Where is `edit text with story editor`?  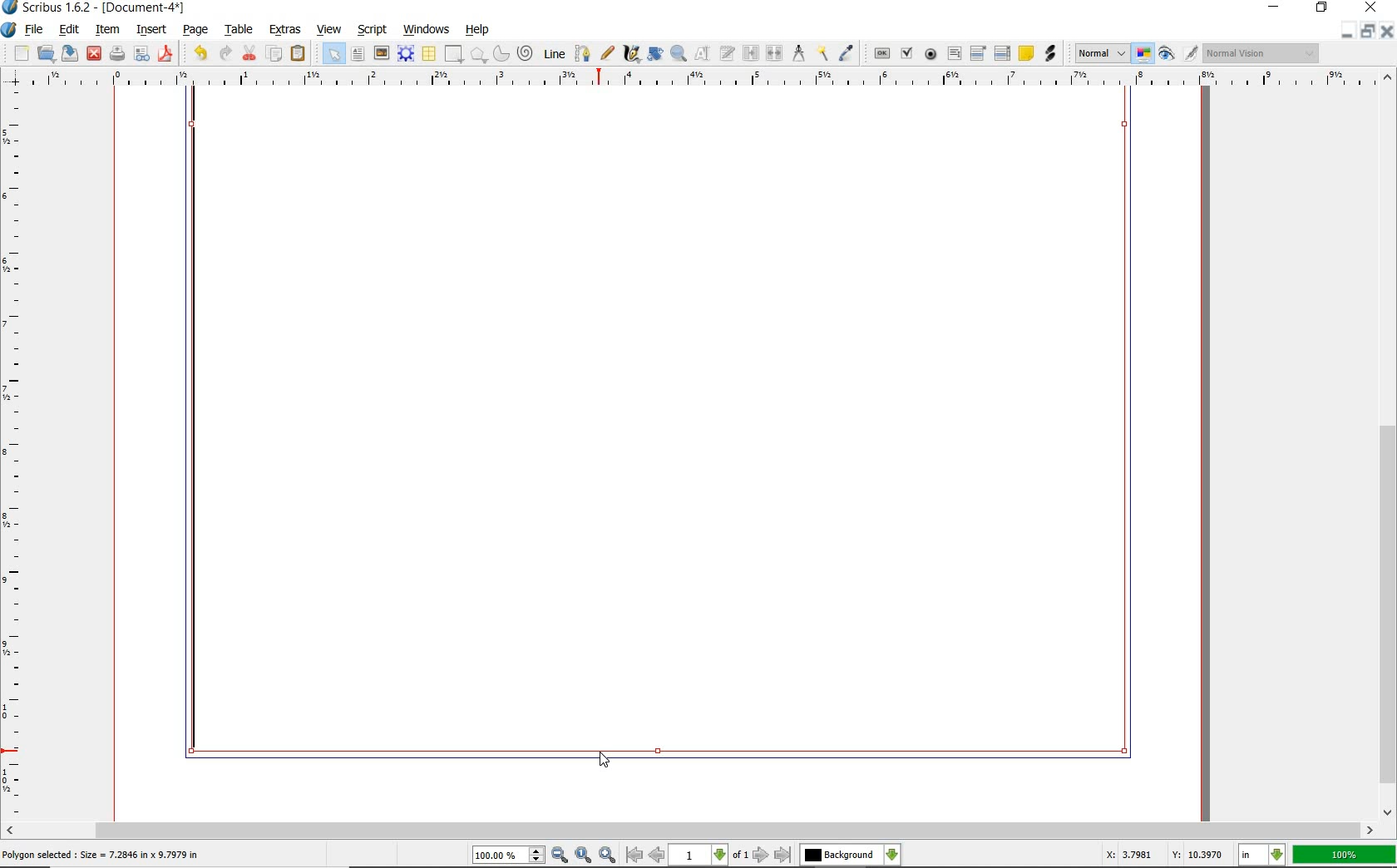 edit text with story editor is located at coordinates (726, 54).